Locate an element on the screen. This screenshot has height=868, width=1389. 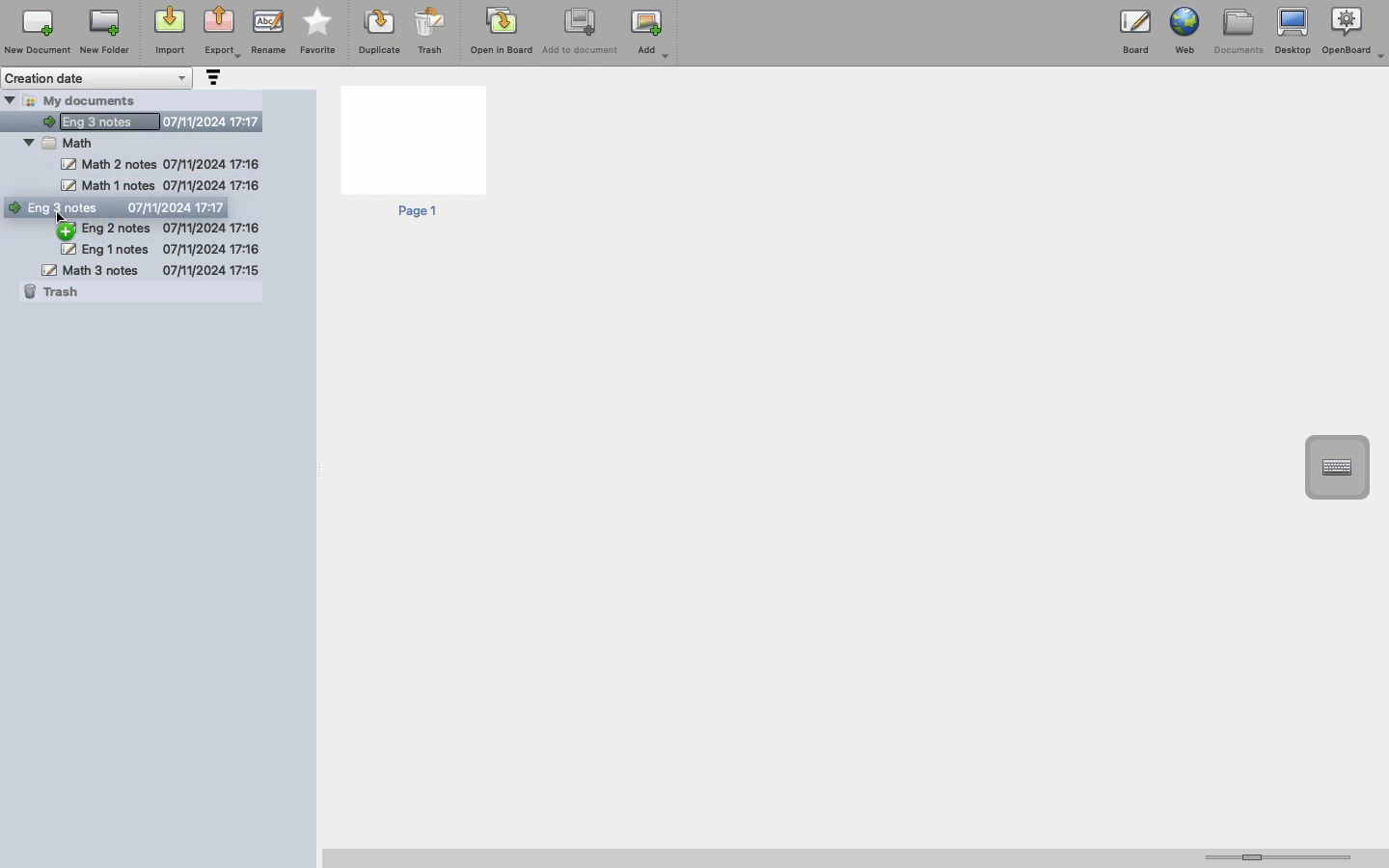
Page 1 is located at coordinates (412, 153).